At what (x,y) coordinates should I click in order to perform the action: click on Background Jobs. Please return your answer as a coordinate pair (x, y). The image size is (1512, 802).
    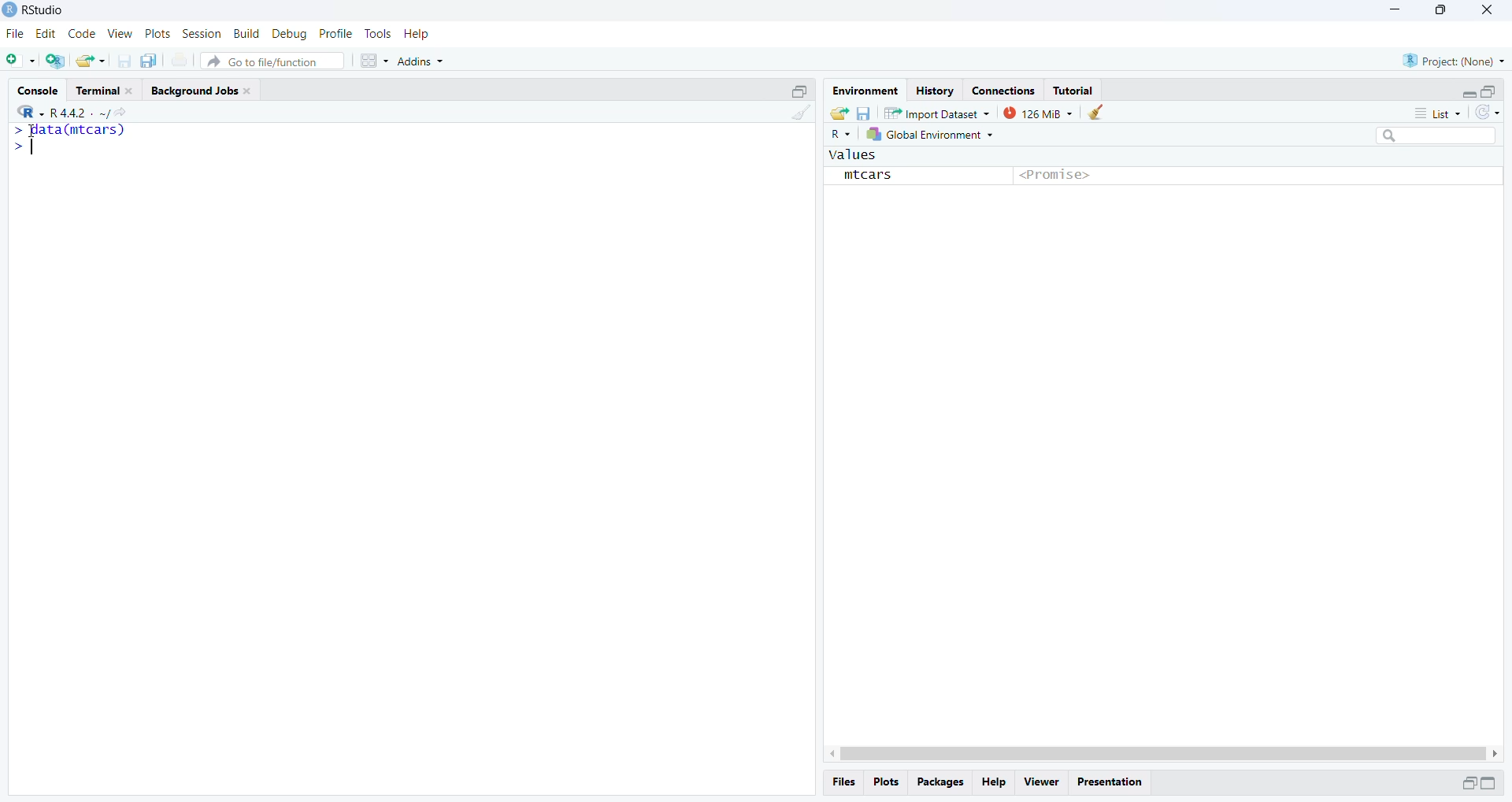
    Looking at the image, I should click on (206, 90).